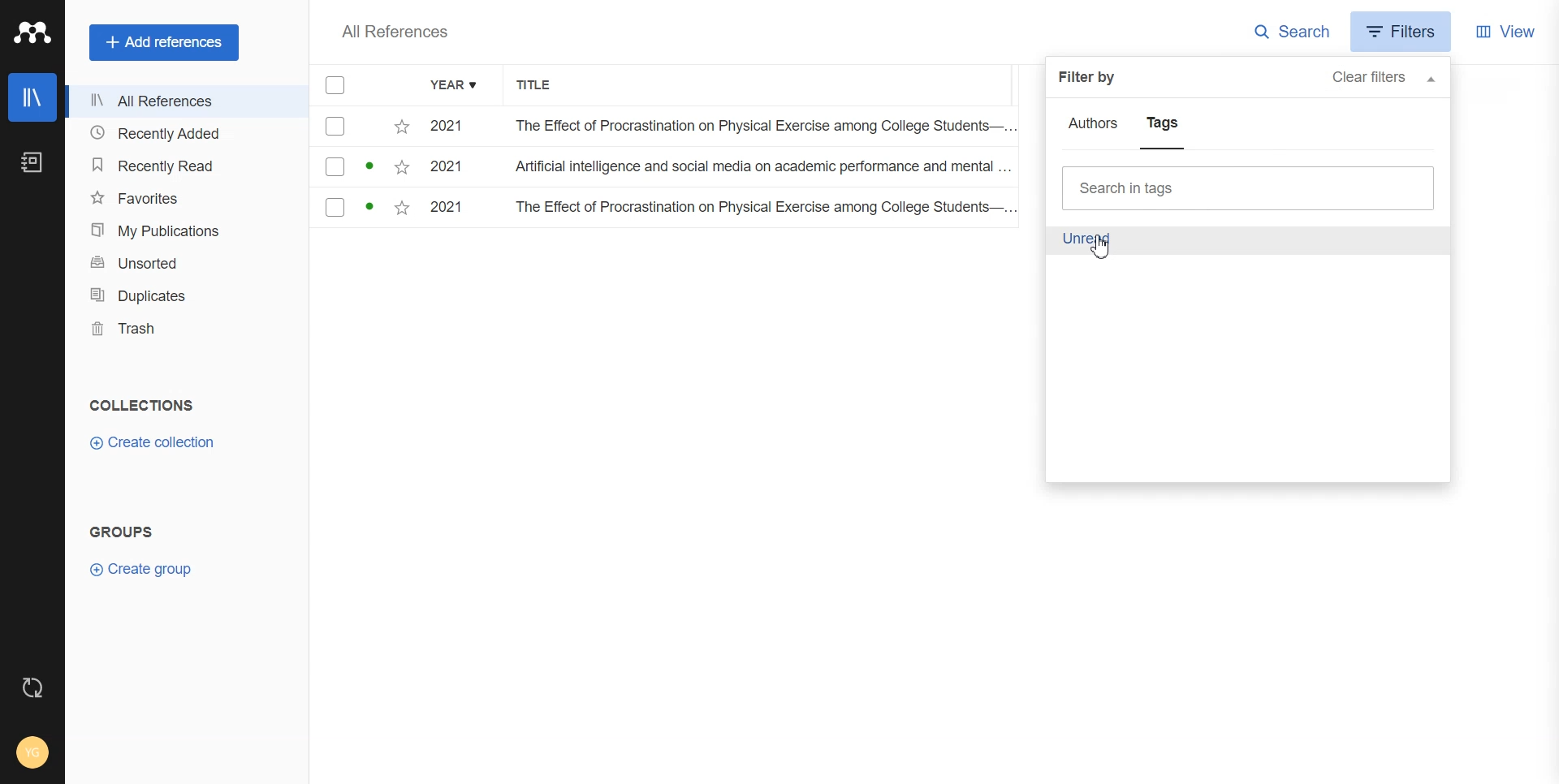  What do you see at coordinates (120, 530) in the screenshot?
I see `GROUPS` at bounding box center [120, 530].